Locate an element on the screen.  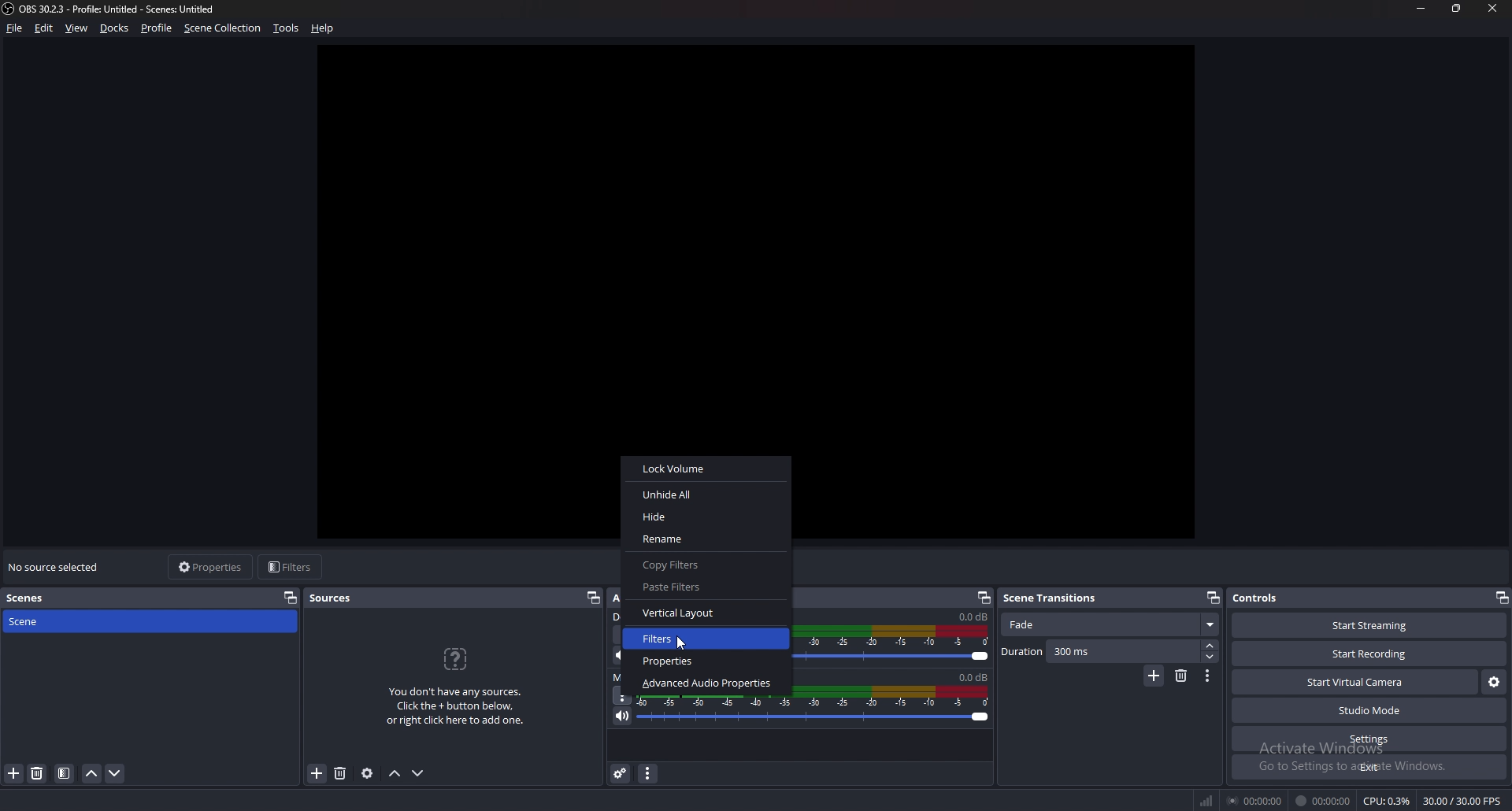
virtual camera settings is located at coordinates (1493, 682).